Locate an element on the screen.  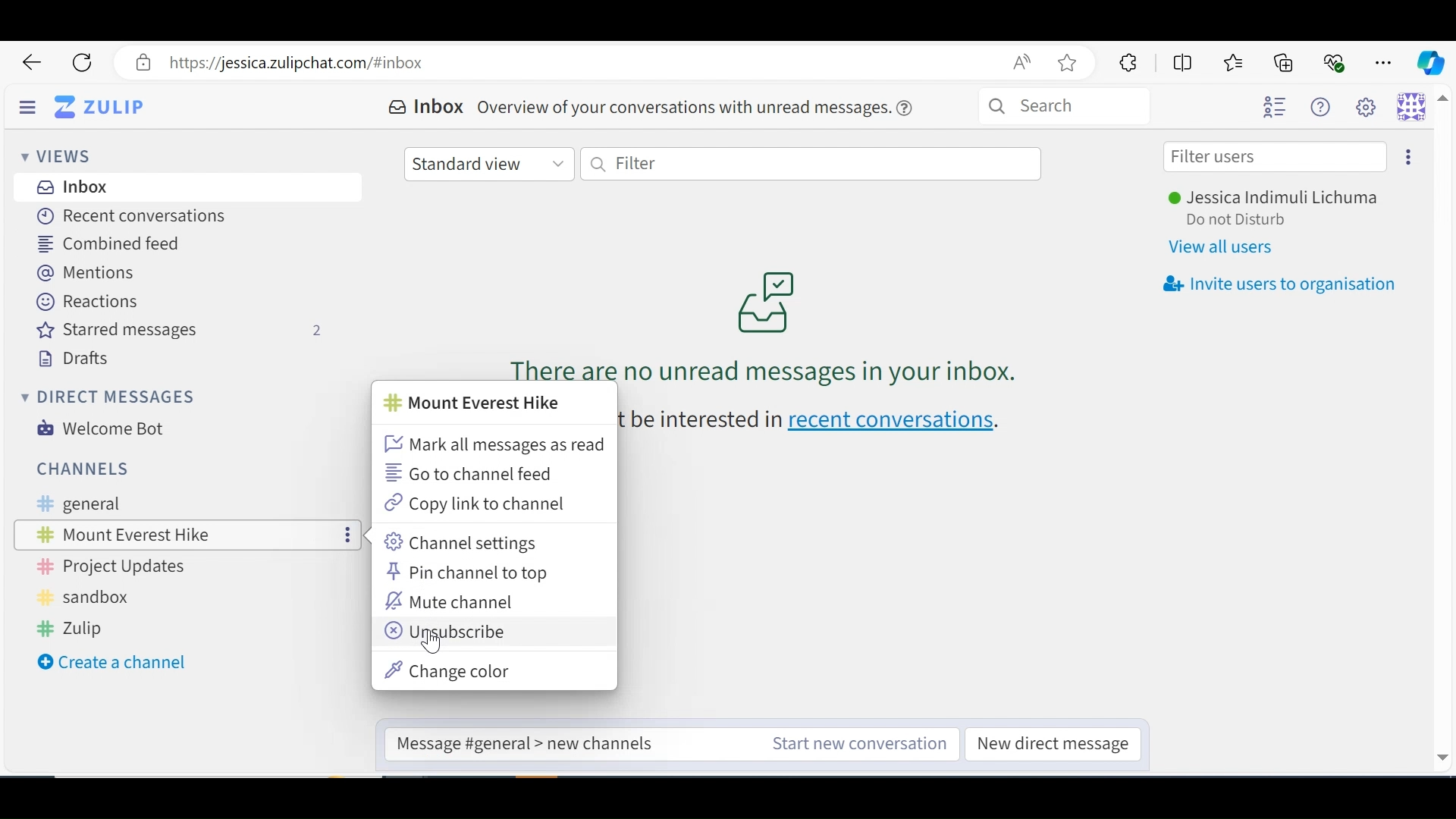
Hide user list is located at coordinates (1276, 108).